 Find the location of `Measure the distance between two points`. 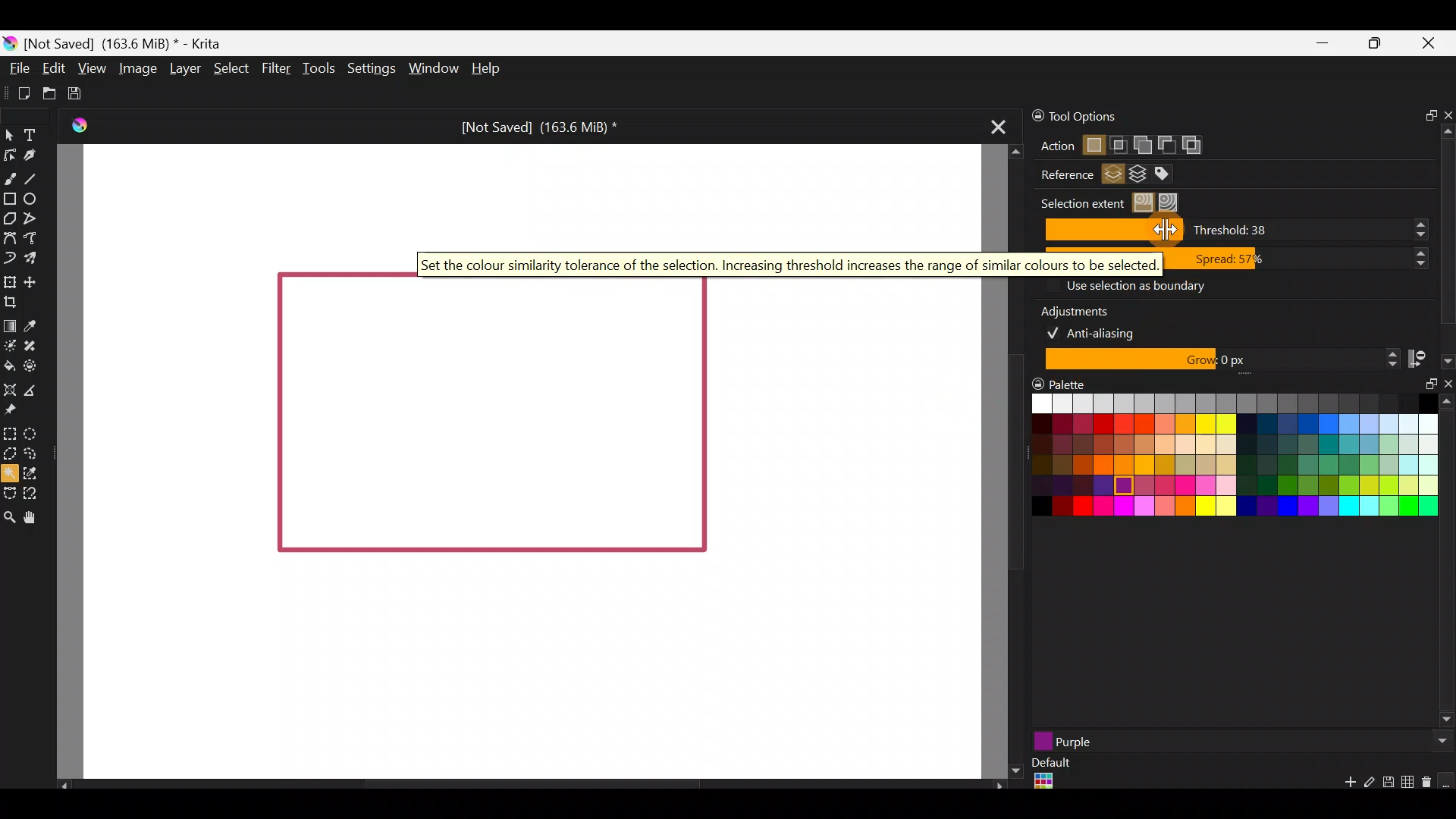

Measure the distance between two points is located at coordinates (39, 391).